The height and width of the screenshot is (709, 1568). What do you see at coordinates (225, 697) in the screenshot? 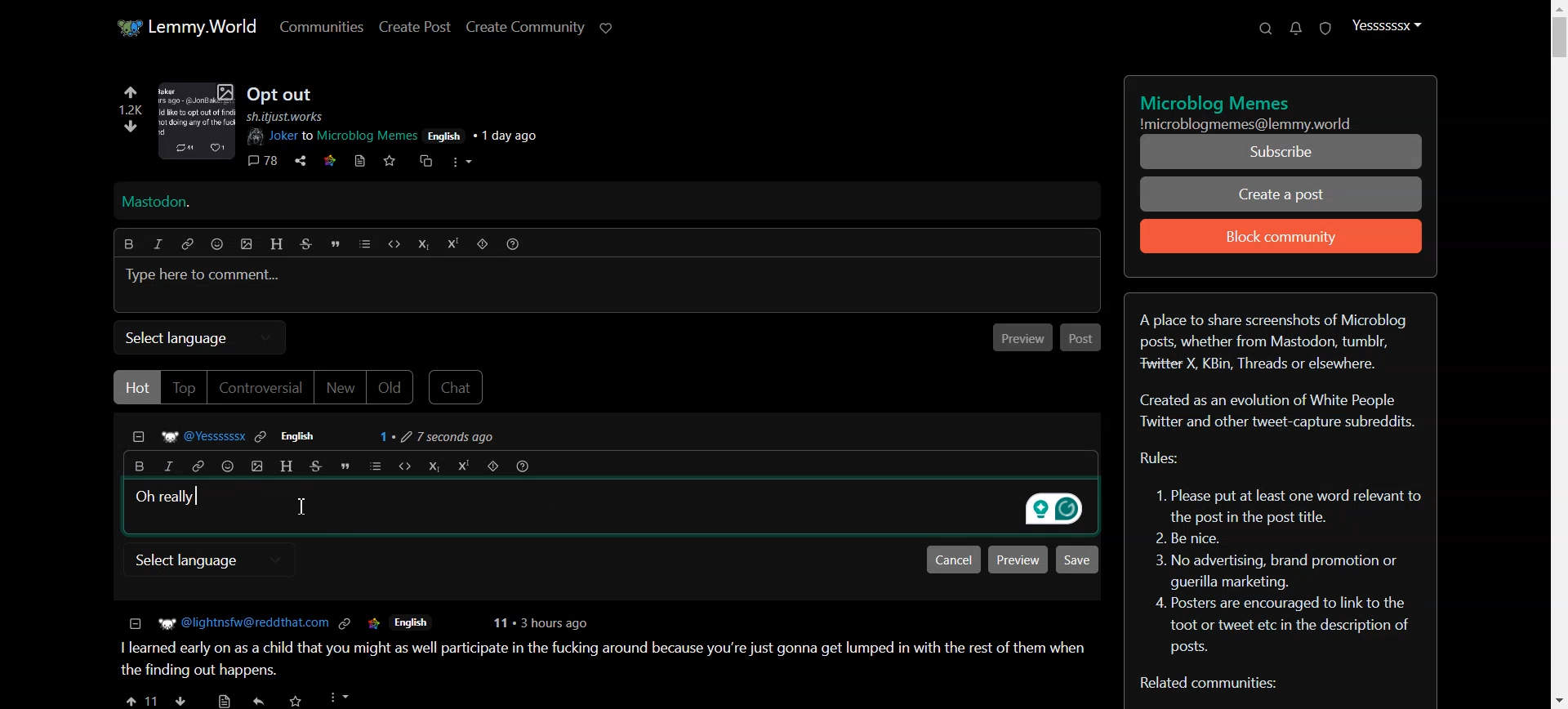
I see `save` at bounding box center [225, 697].